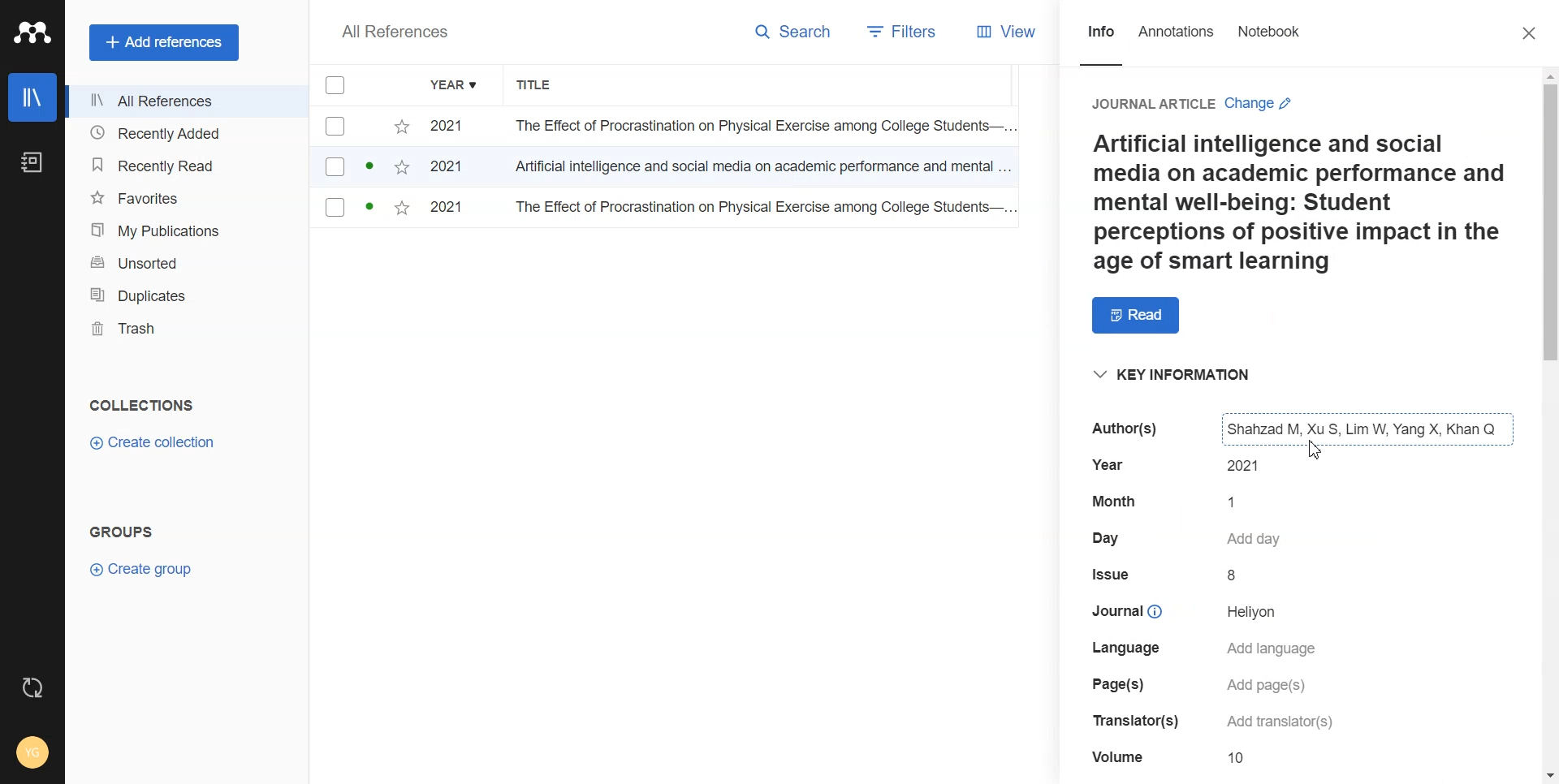 The height and width of the screenshot is (784, 1559). Describe the element at coordinates (395, 32) in the screenshot. I see `All References` at that location.